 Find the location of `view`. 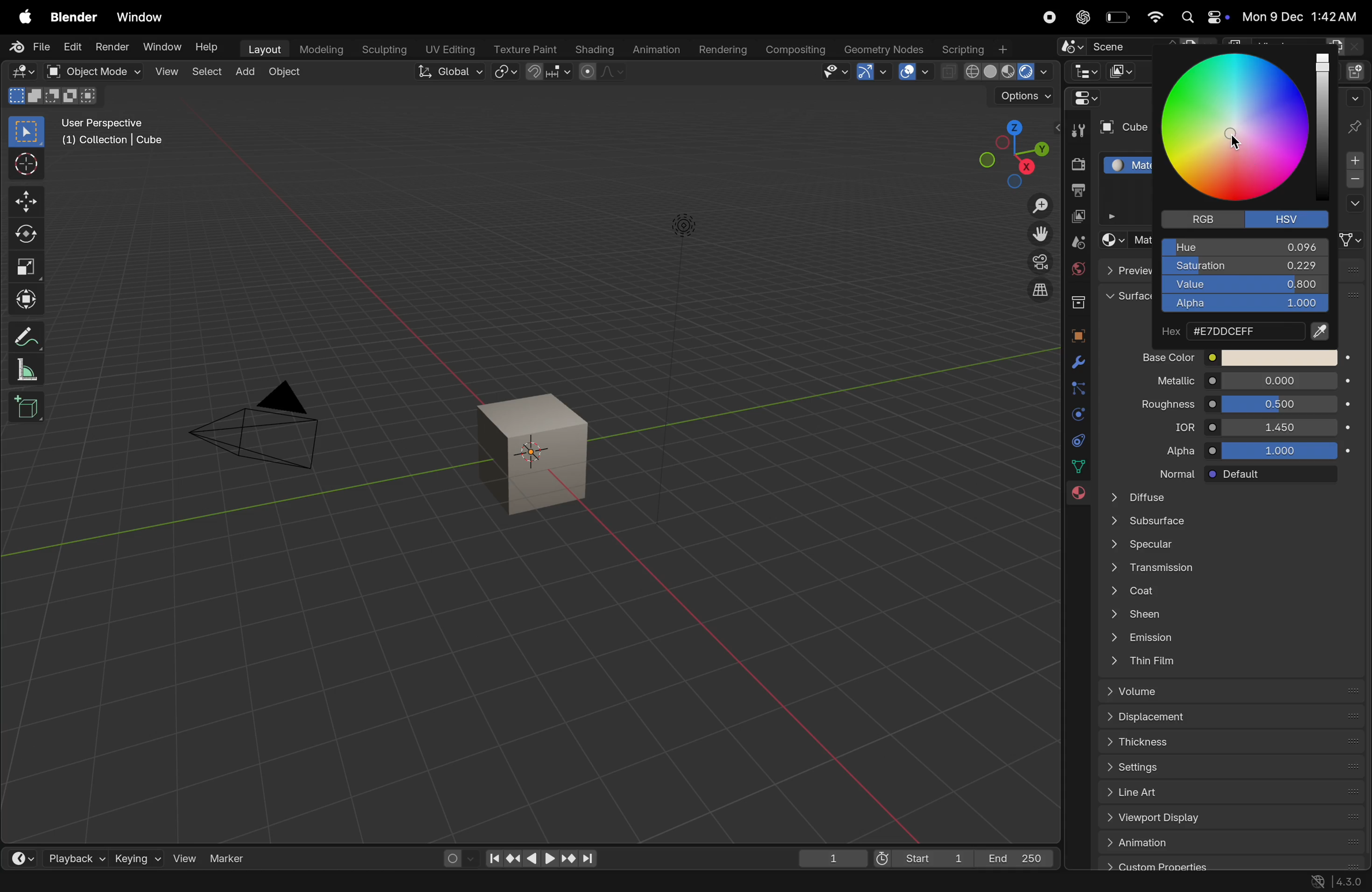

view is located at coordinates (166, 73).